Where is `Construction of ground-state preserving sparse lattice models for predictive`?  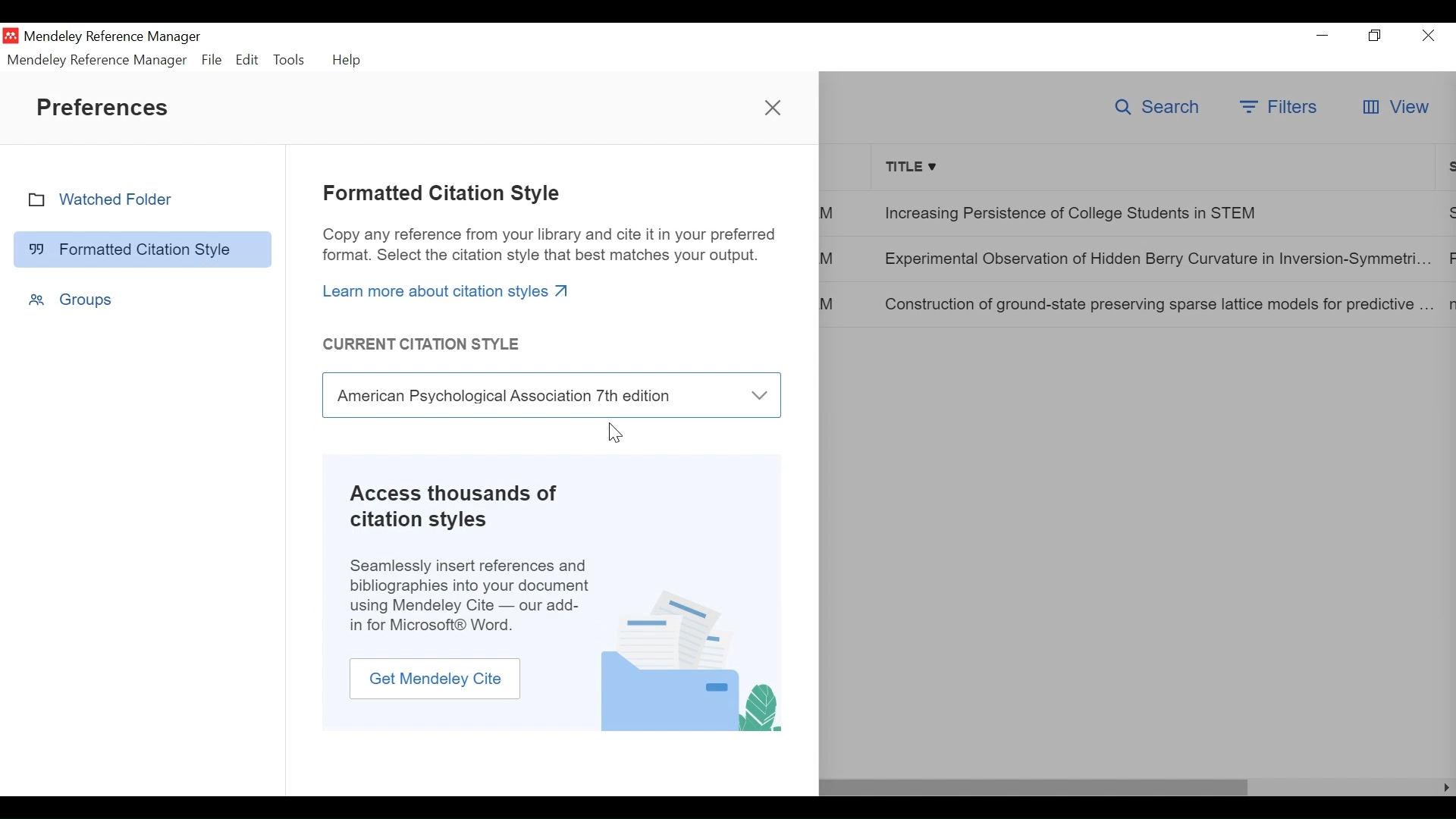
Construction of ground-state preserving sparse lattice models for predictive is located at coordinates (1156, 303).